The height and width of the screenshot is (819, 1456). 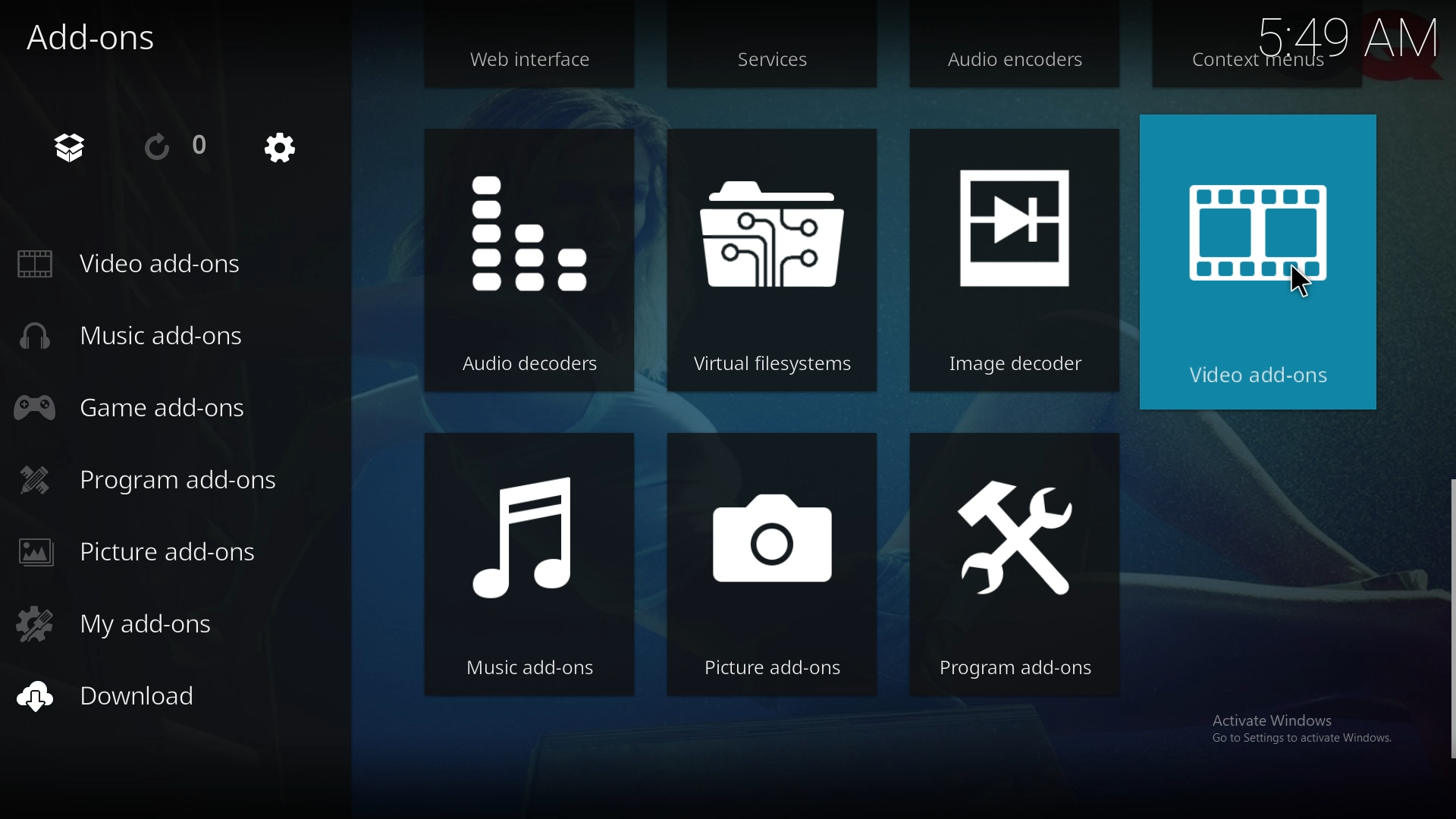 I want to click on my add ons, so click(x=138, y=625).